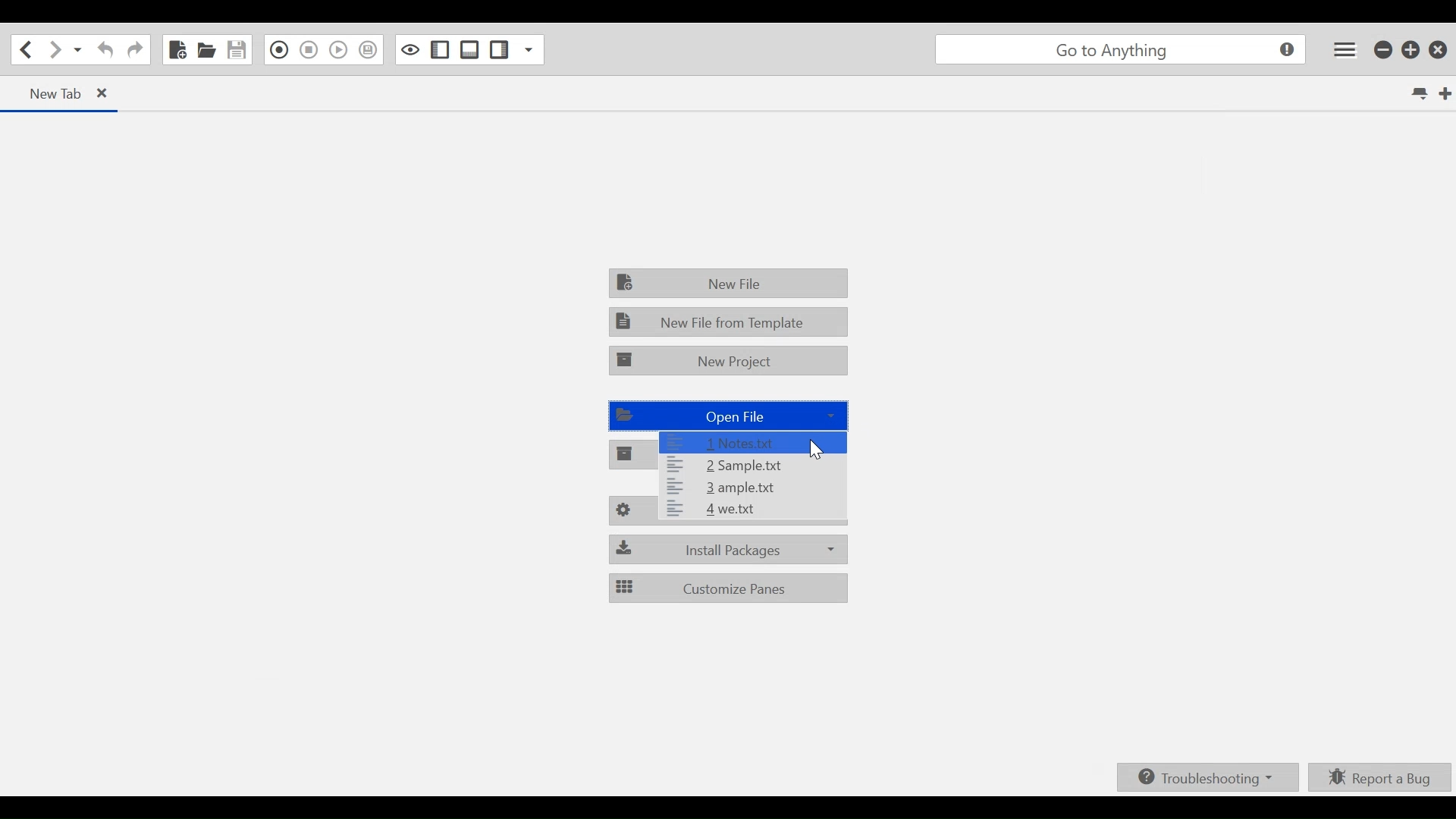  I want to click on Stop Recording Macro, so click(309, 49).